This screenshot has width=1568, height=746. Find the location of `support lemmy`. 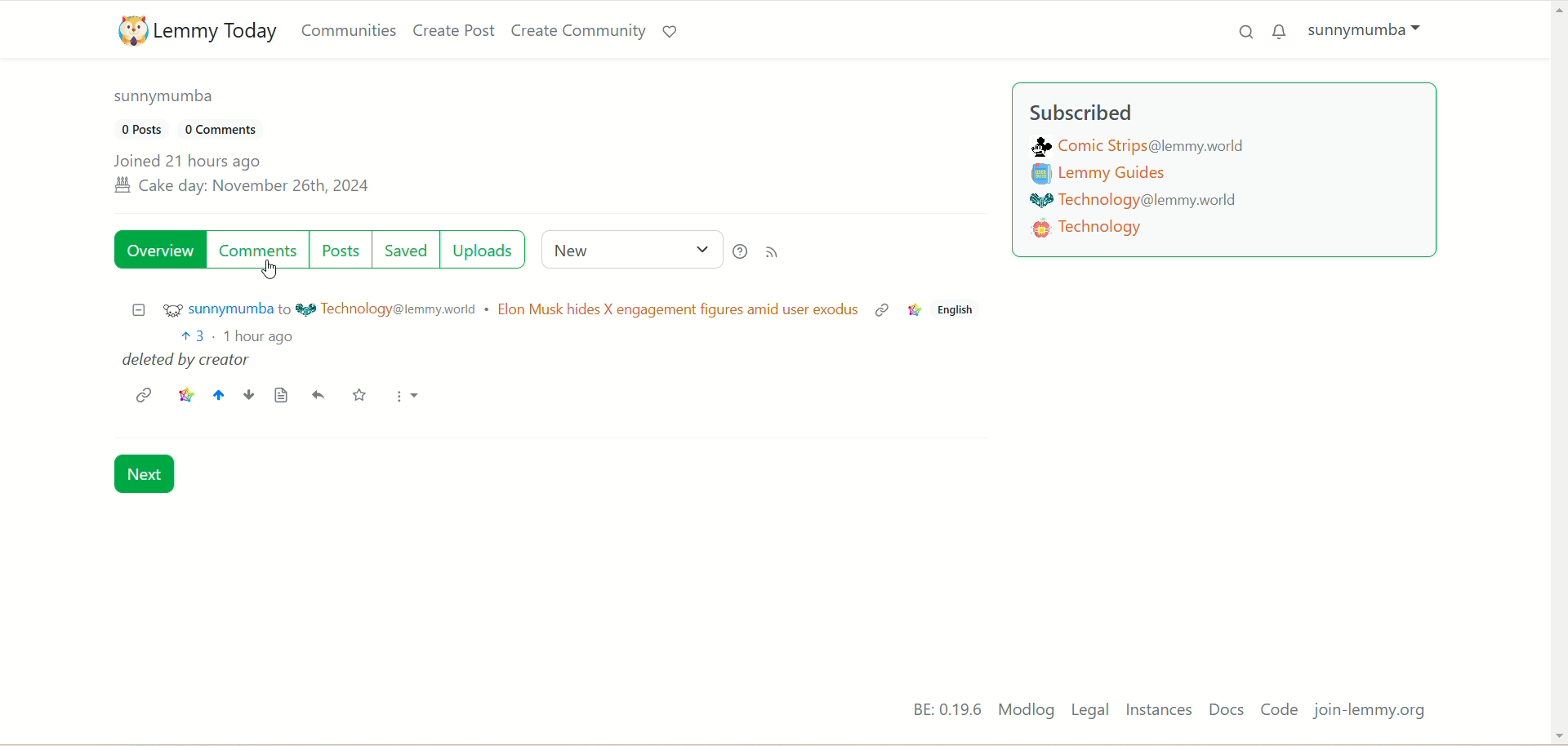

support lemmy is located at coordinates (670, 29).